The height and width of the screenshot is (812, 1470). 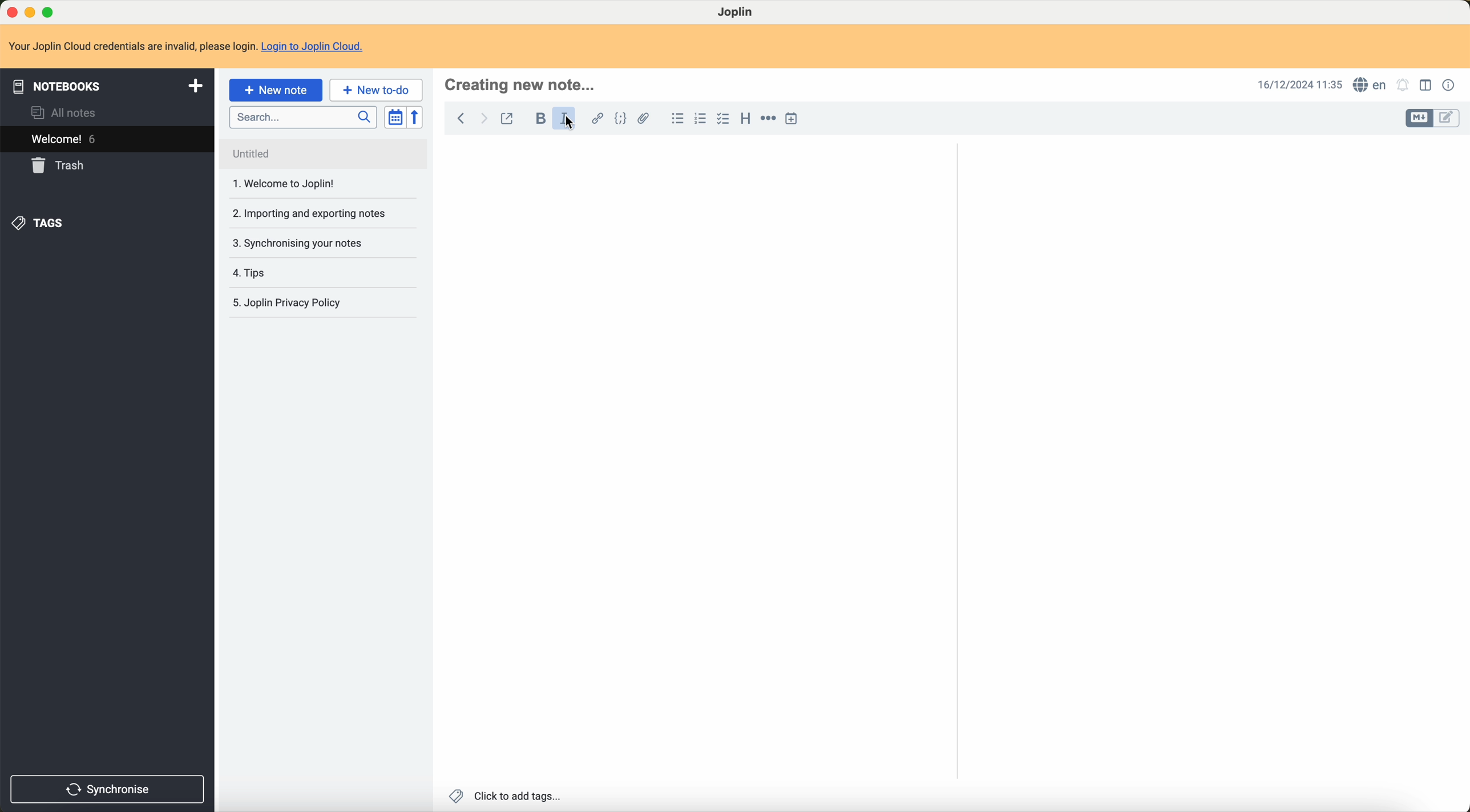 What do you see at coordinates (50, 10) in the screenshot?
I see `maximize` at bounding box center [50, 10].